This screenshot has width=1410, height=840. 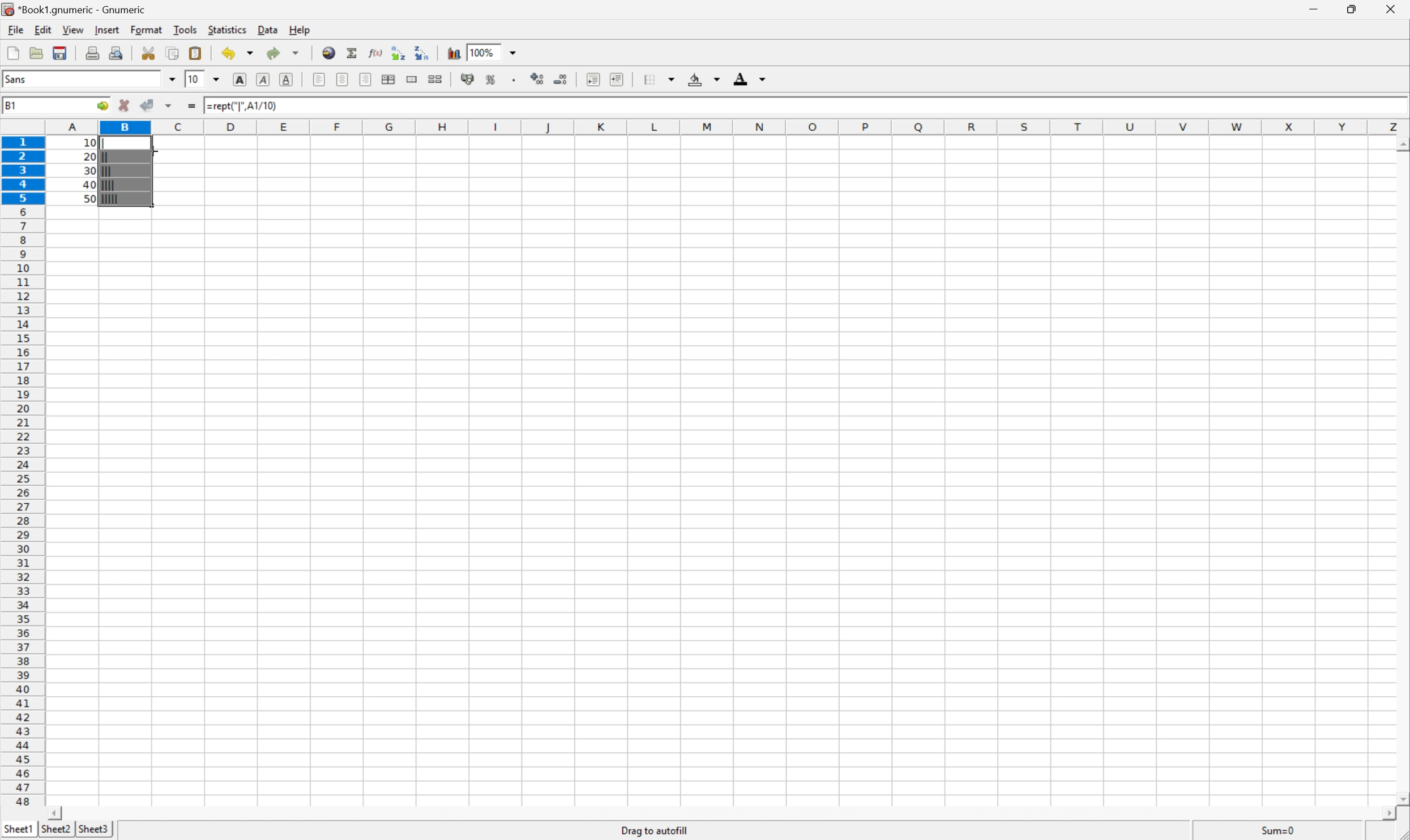 I want to click on Decrease the number of decimals displayed, so click(x=559, y=77).